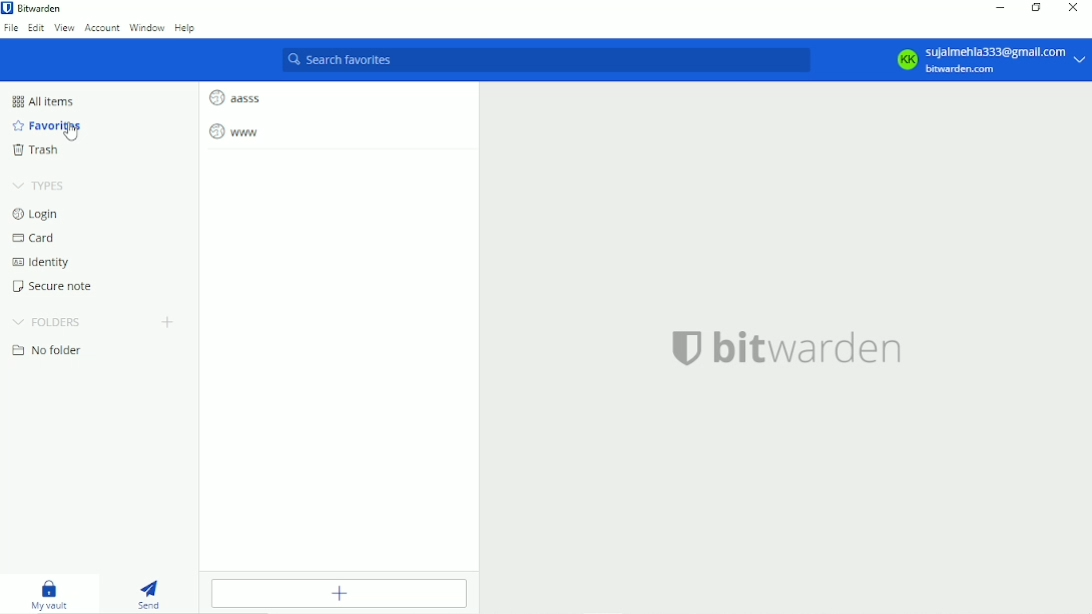 The width and height of the screenshot is (1092, 614). What do you see at coordinates (186, 30) in the screenshot?
I see `Help` at bounding box center [186, 30].